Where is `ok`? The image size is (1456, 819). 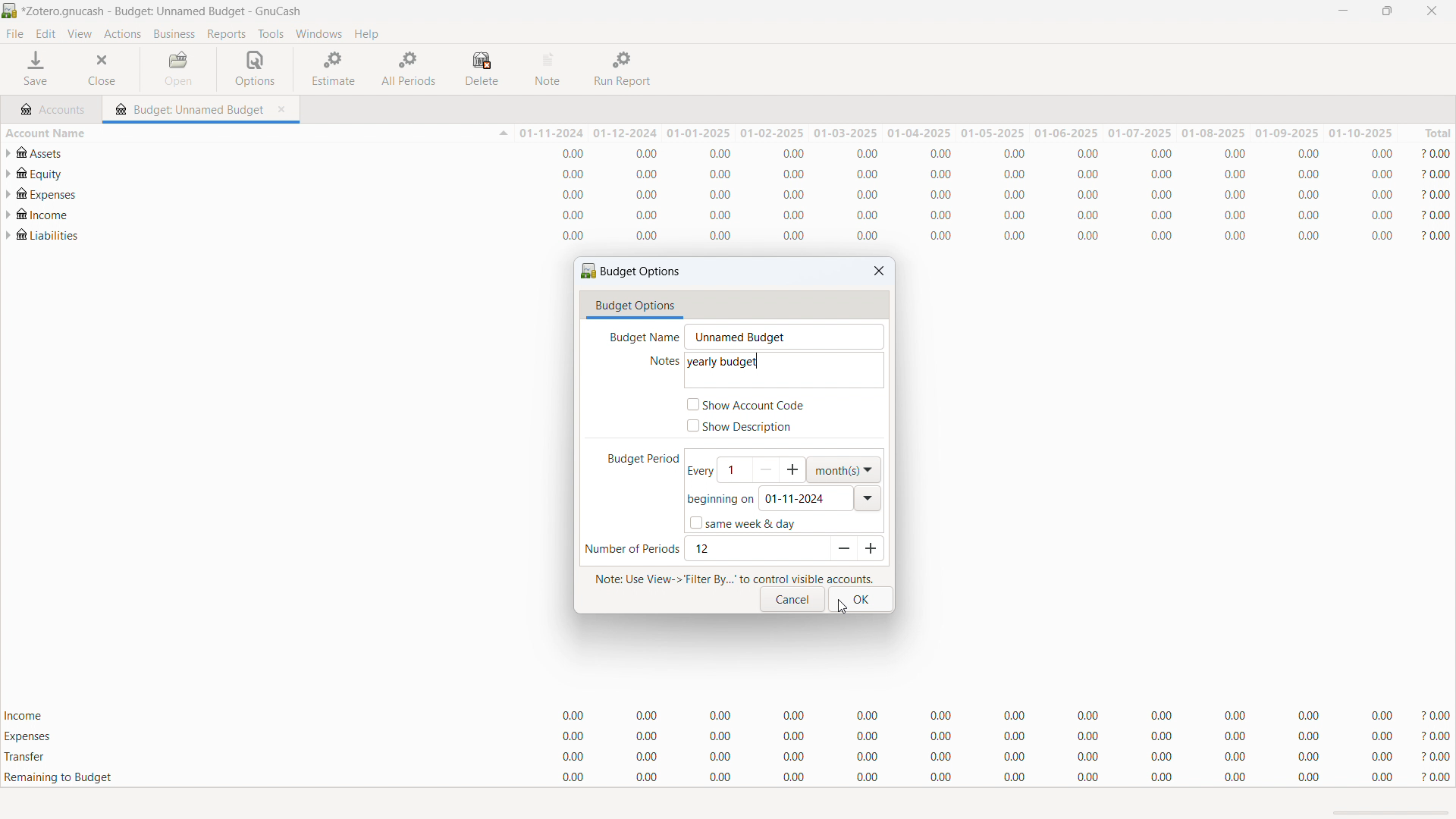
ok is located at coordinates (861, 600).